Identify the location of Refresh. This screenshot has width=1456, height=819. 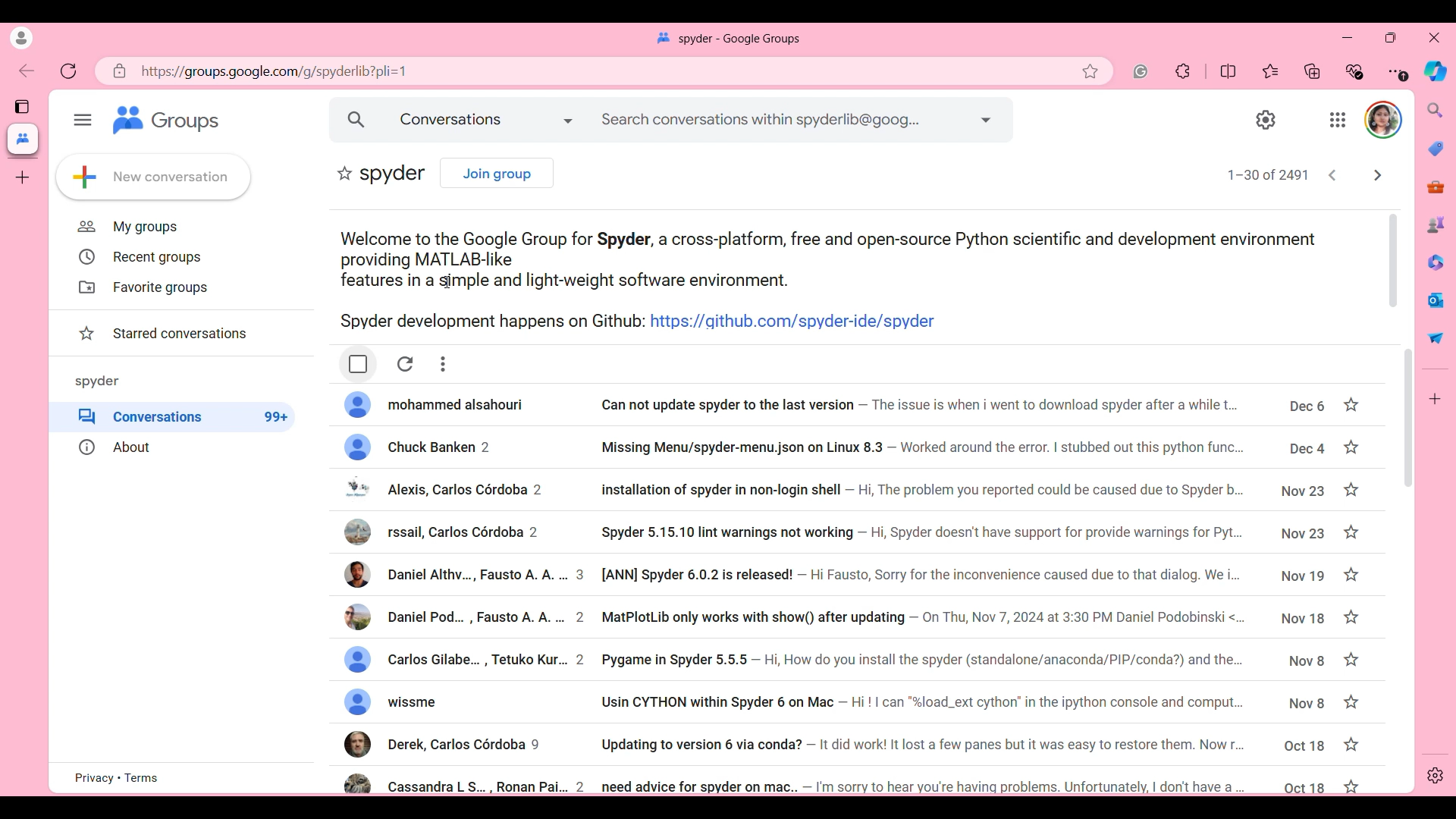
(406, 365).